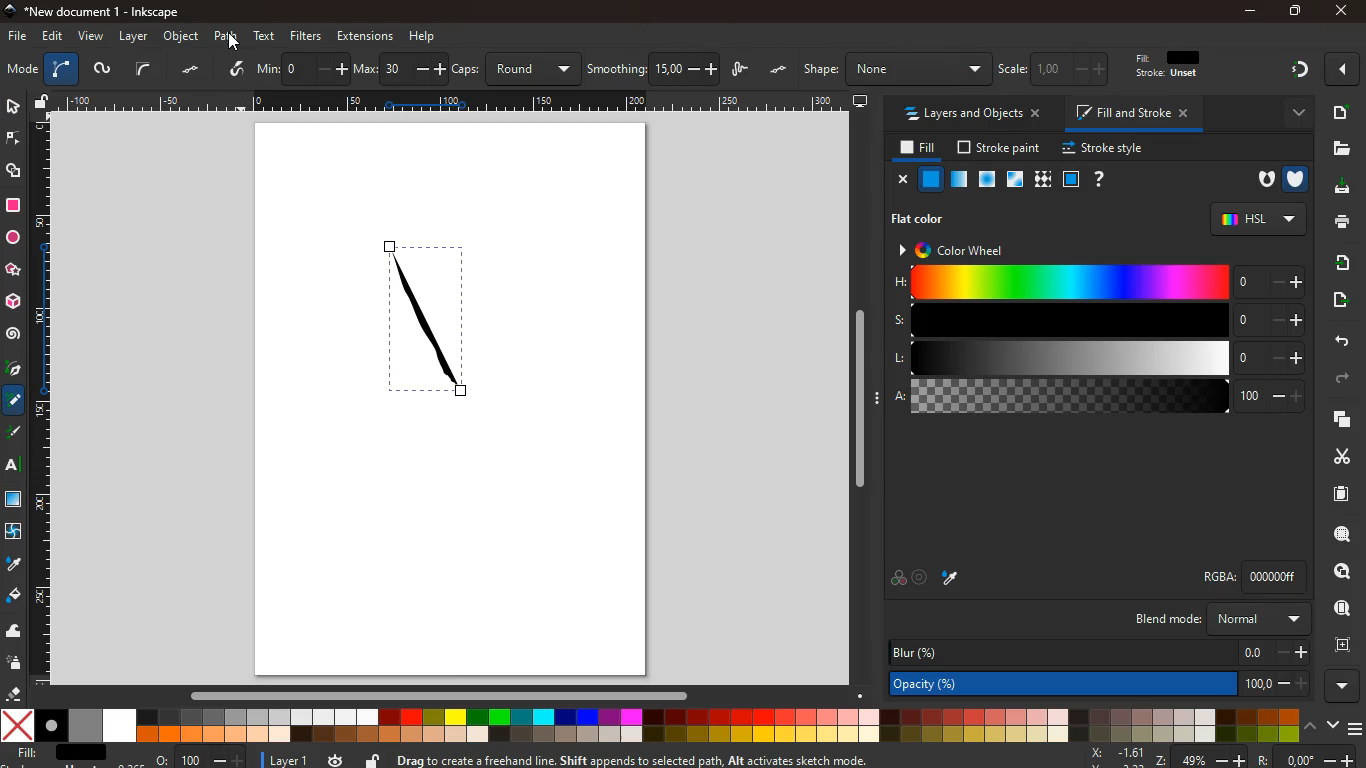 This screenshot has width=1366, height=768. Describe the element at coordinates (958, 181) in the screenshot. I see `glass` at that location.